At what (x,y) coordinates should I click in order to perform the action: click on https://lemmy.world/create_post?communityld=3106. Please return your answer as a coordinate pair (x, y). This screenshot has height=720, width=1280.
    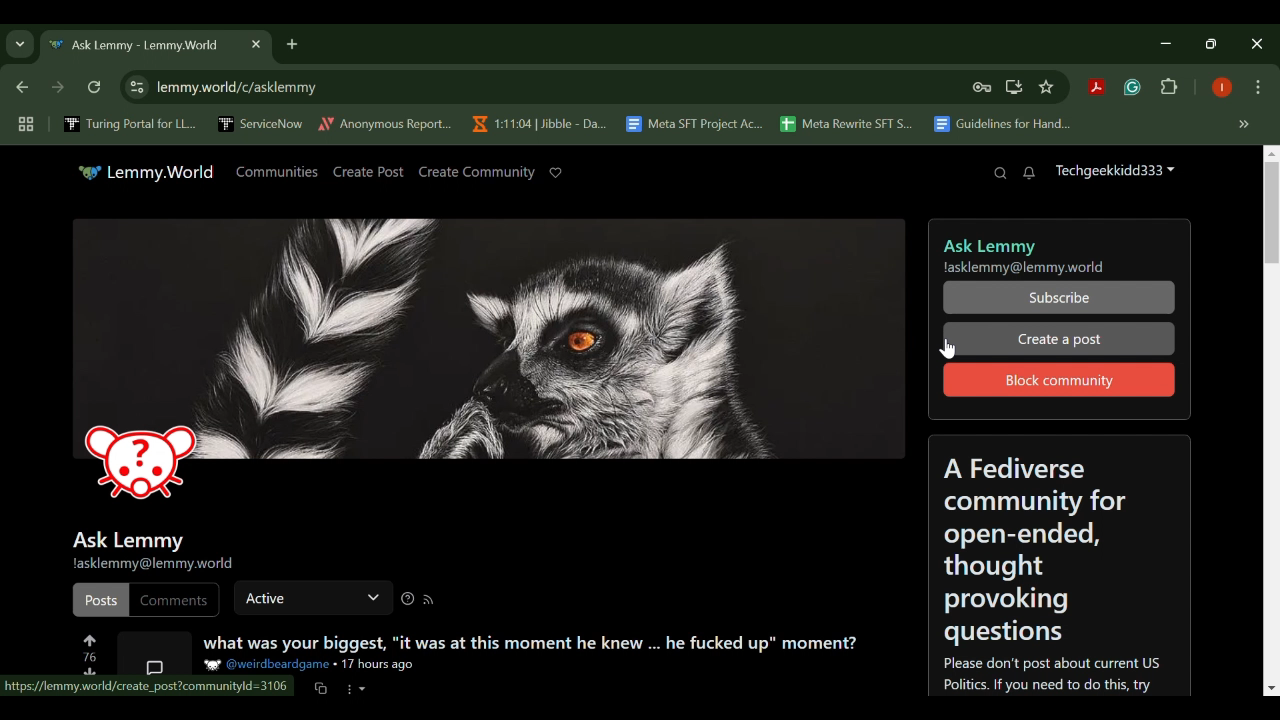
    Looking at the image, I should click on (149, 687).